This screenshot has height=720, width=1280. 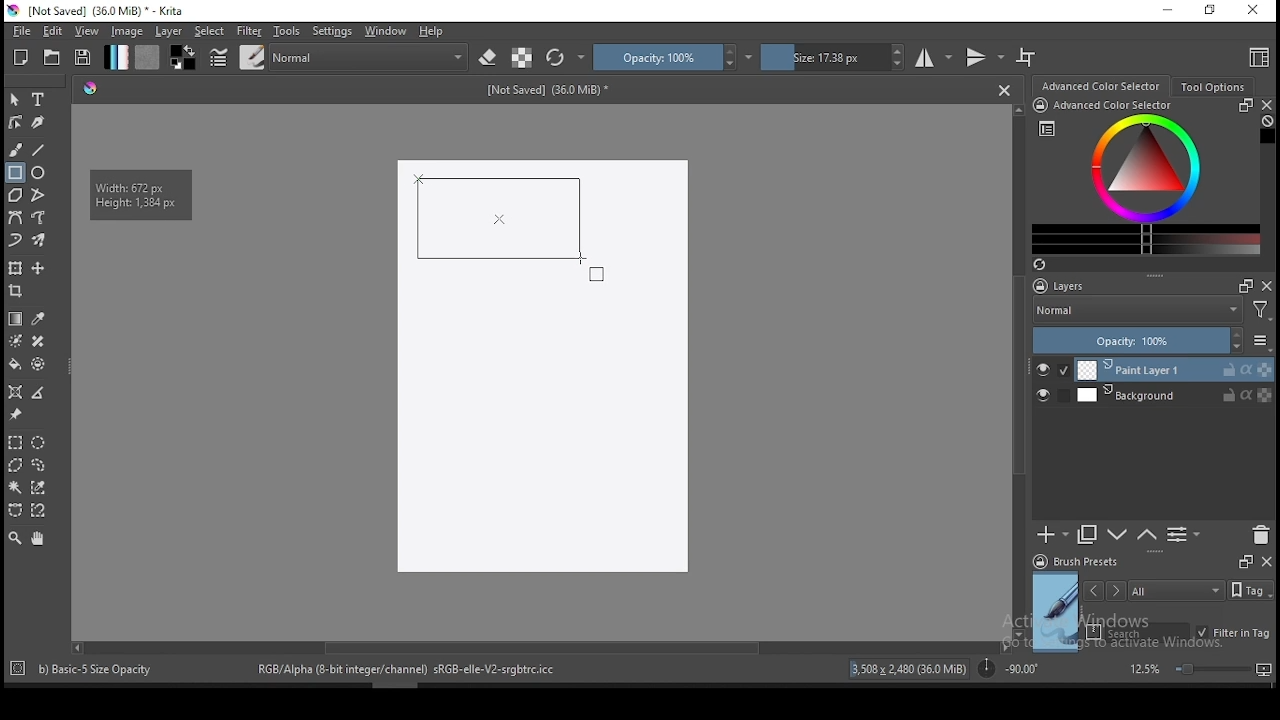 I want to click on close docker, so click(x=1266, y=105).